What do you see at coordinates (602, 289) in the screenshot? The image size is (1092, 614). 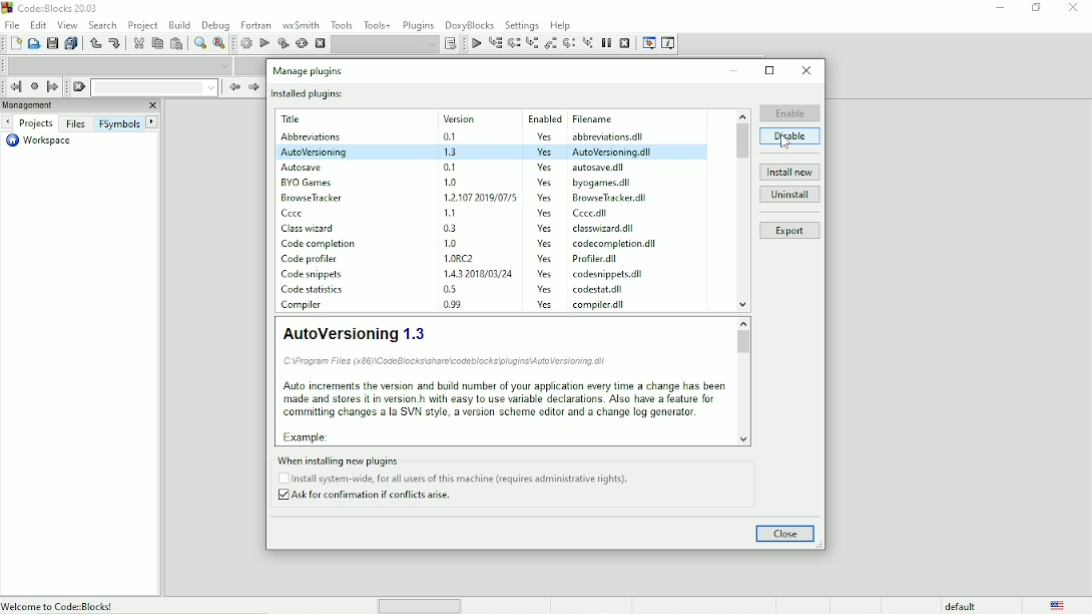 I see `codestat.dll` at bounding box center [602, 289].